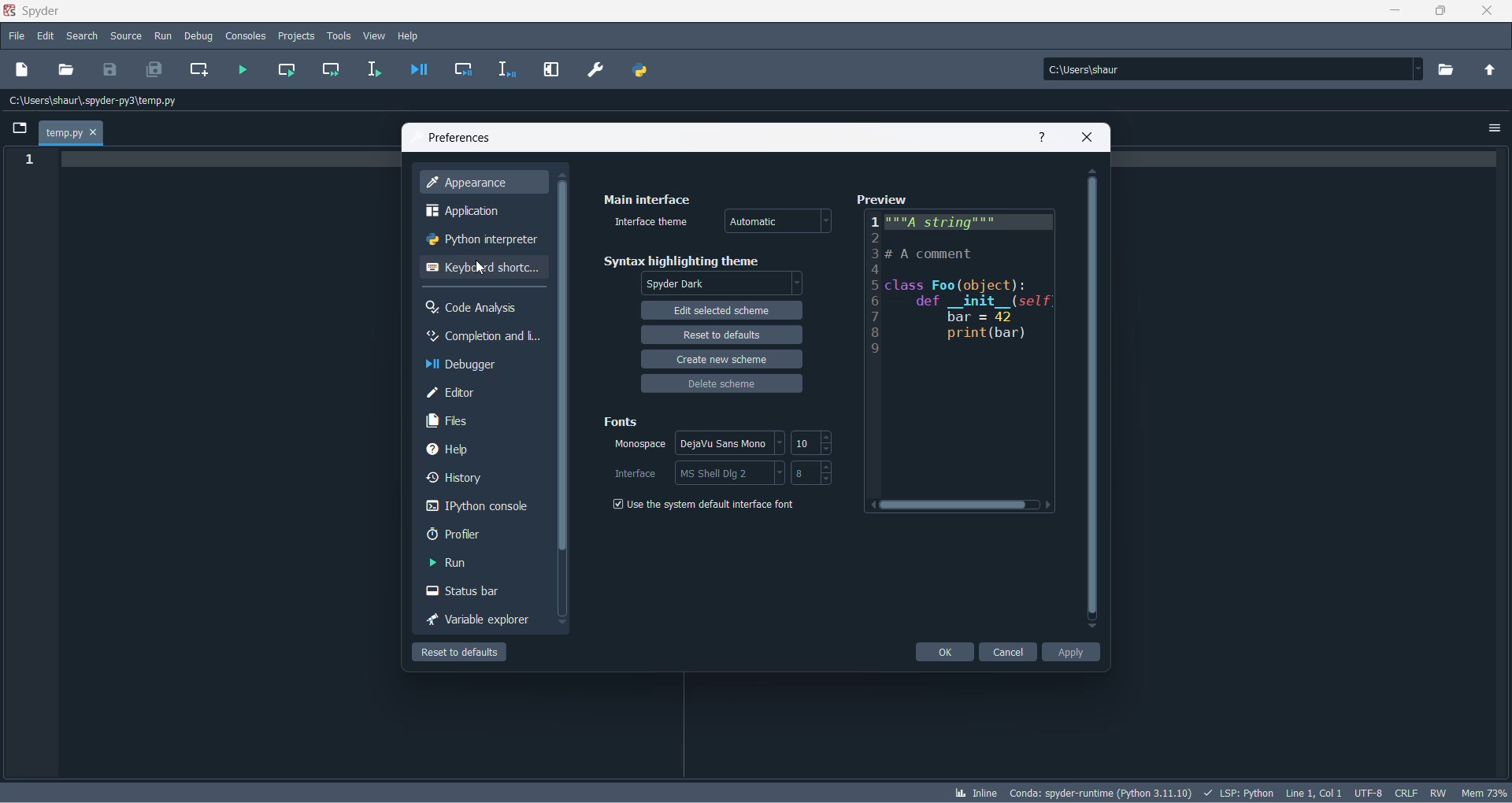  Describe the element at coordinates (828, 479) in the screenshot. I see `decrement` at that location.